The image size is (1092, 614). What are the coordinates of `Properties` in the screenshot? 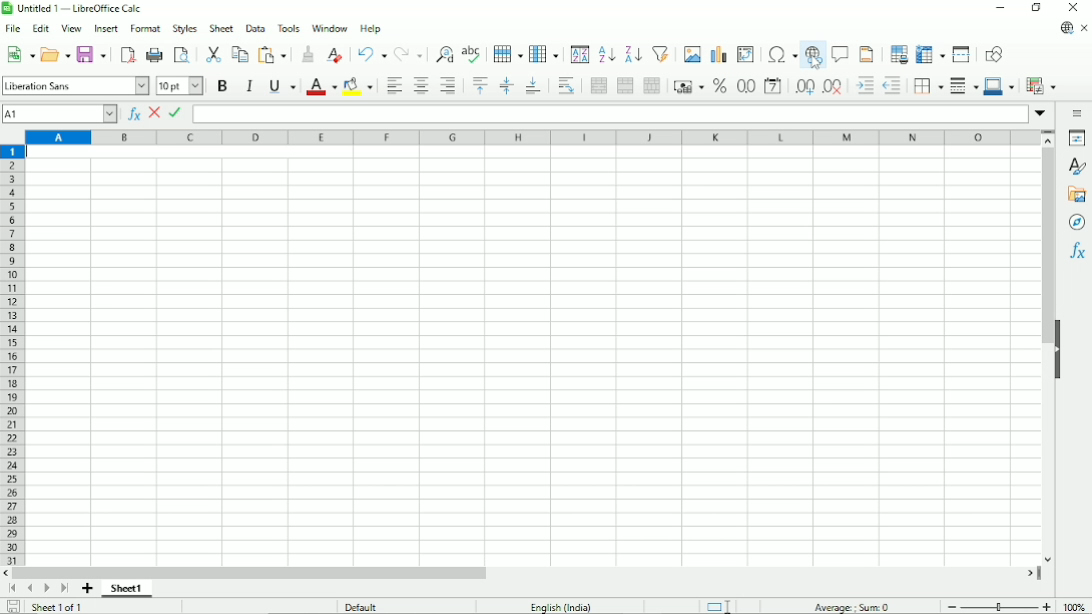 It's located at (1077, 138).